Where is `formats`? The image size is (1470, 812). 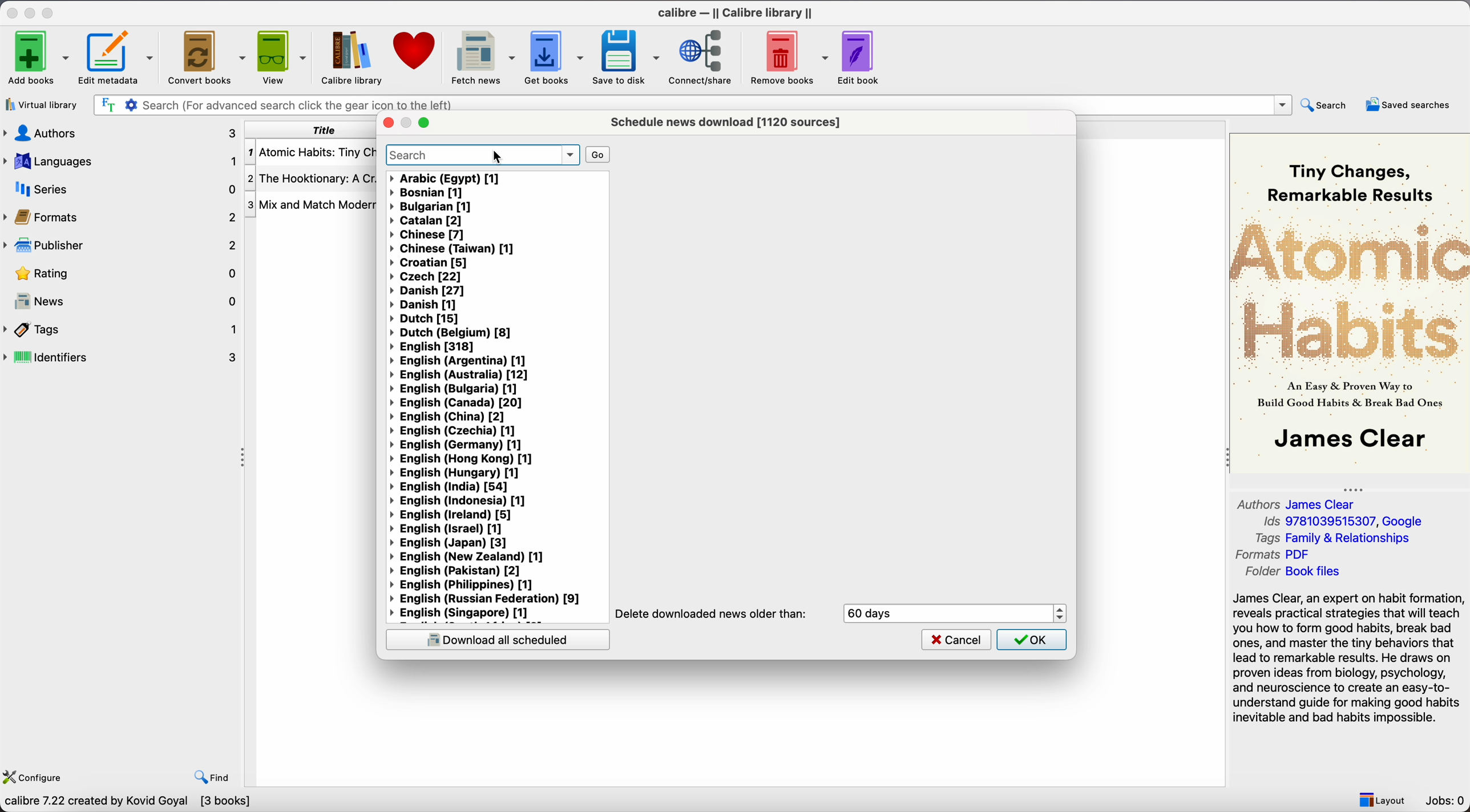 formats is located at coordinates (119, 216).